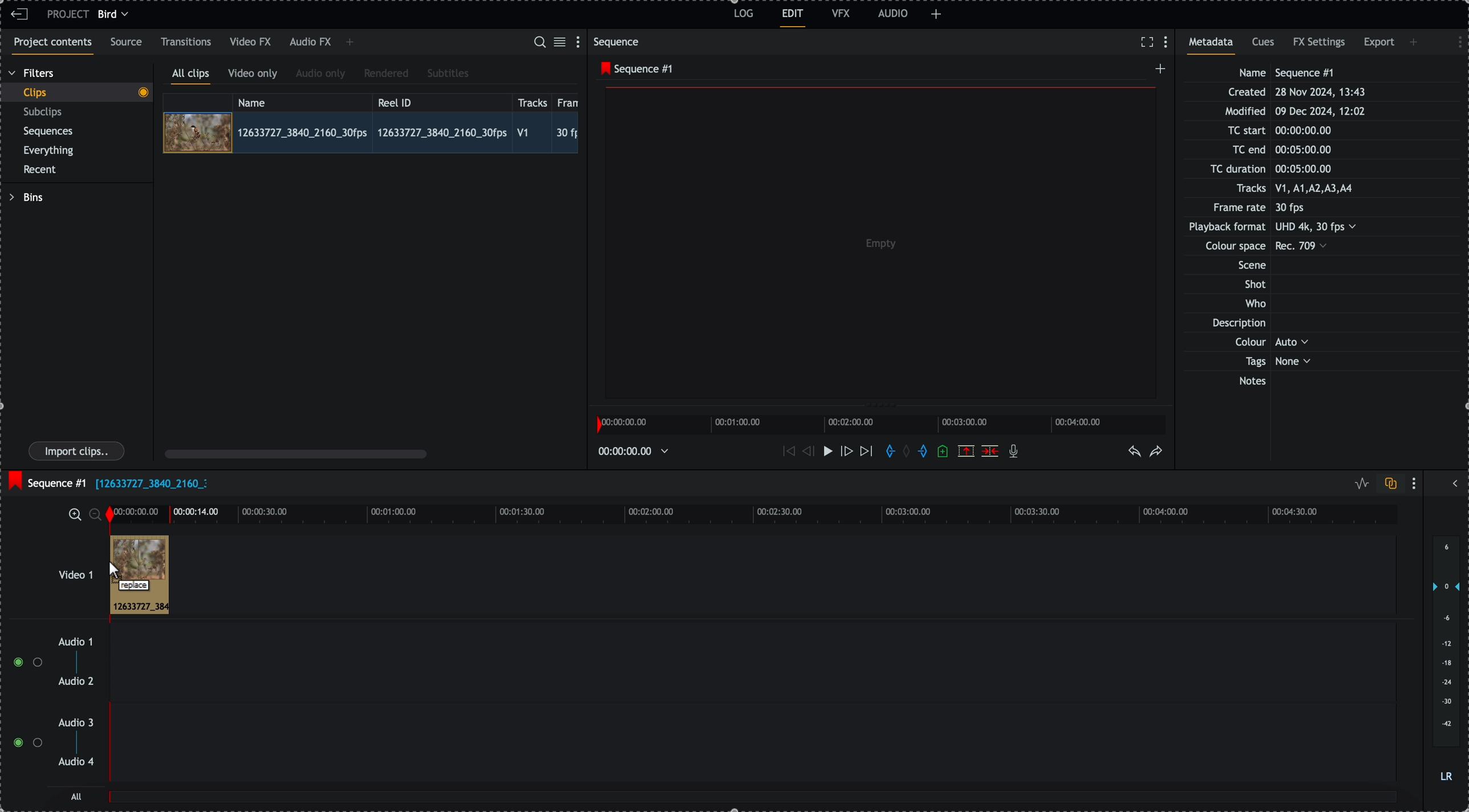 This screenshot has height=812, width=1469. I want to click on all, so click(754, 802).